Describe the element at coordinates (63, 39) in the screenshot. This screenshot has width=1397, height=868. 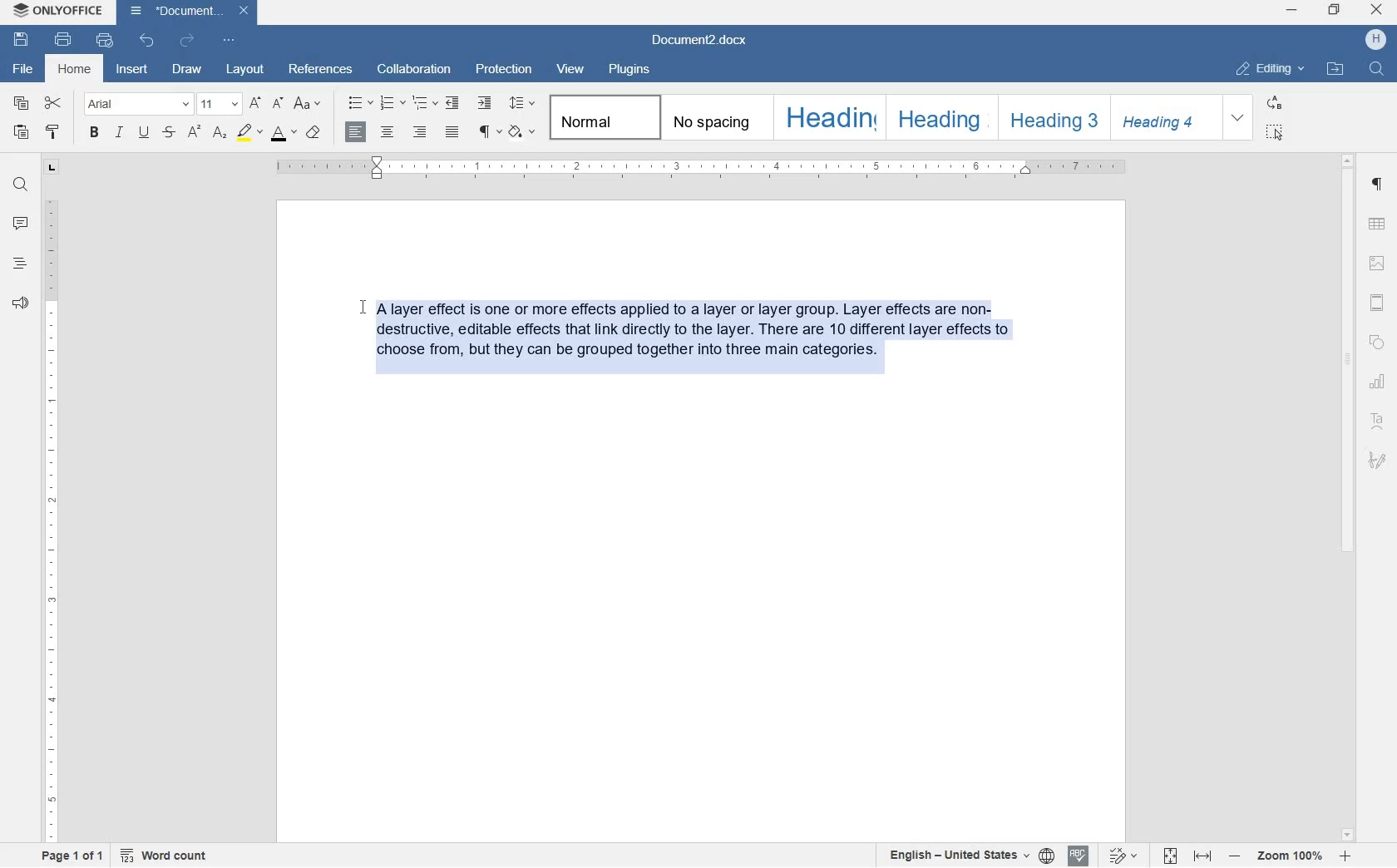
I see `print` at that location.